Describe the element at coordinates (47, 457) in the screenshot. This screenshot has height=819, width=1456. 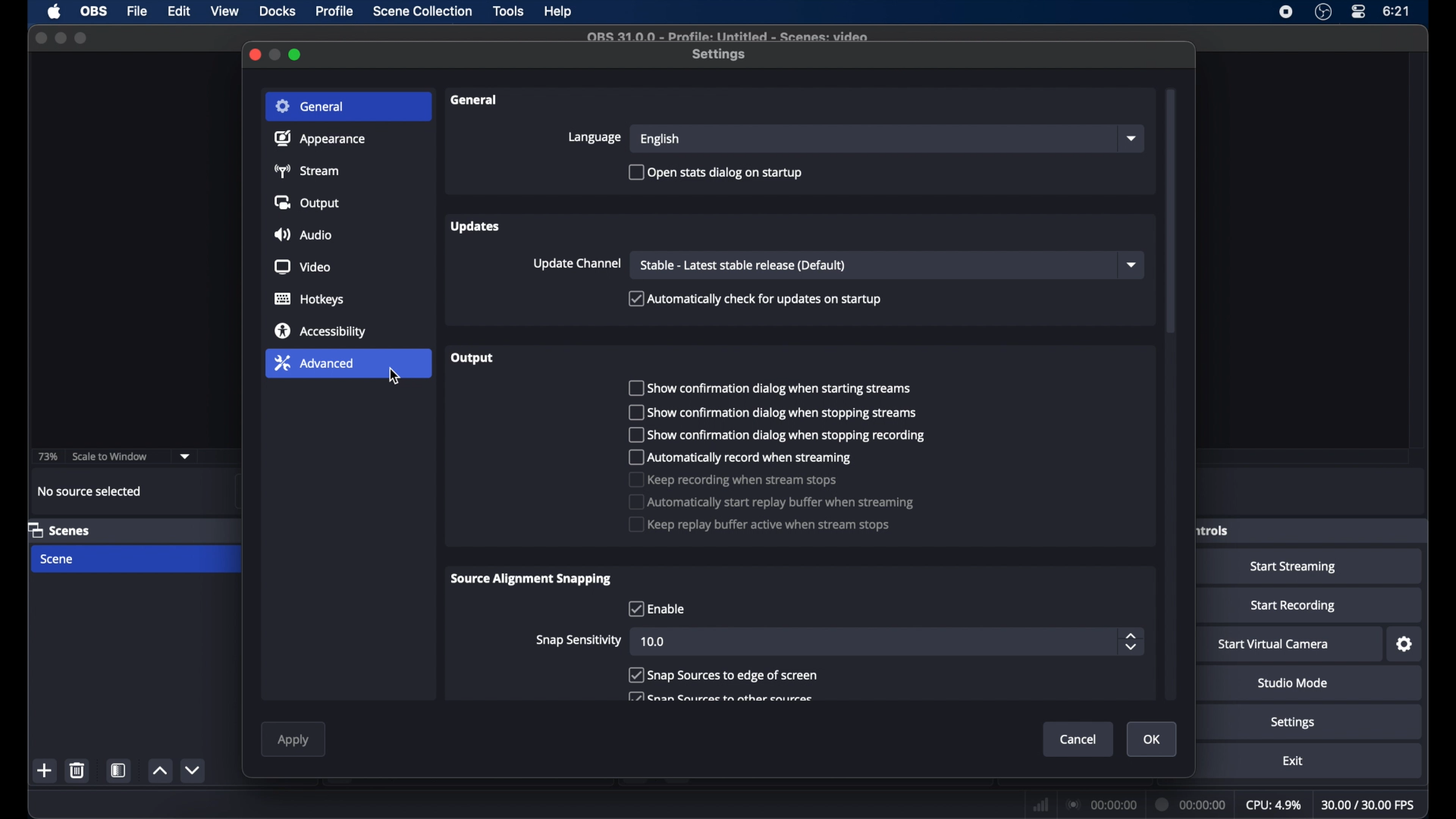
I see `73%` at that location.